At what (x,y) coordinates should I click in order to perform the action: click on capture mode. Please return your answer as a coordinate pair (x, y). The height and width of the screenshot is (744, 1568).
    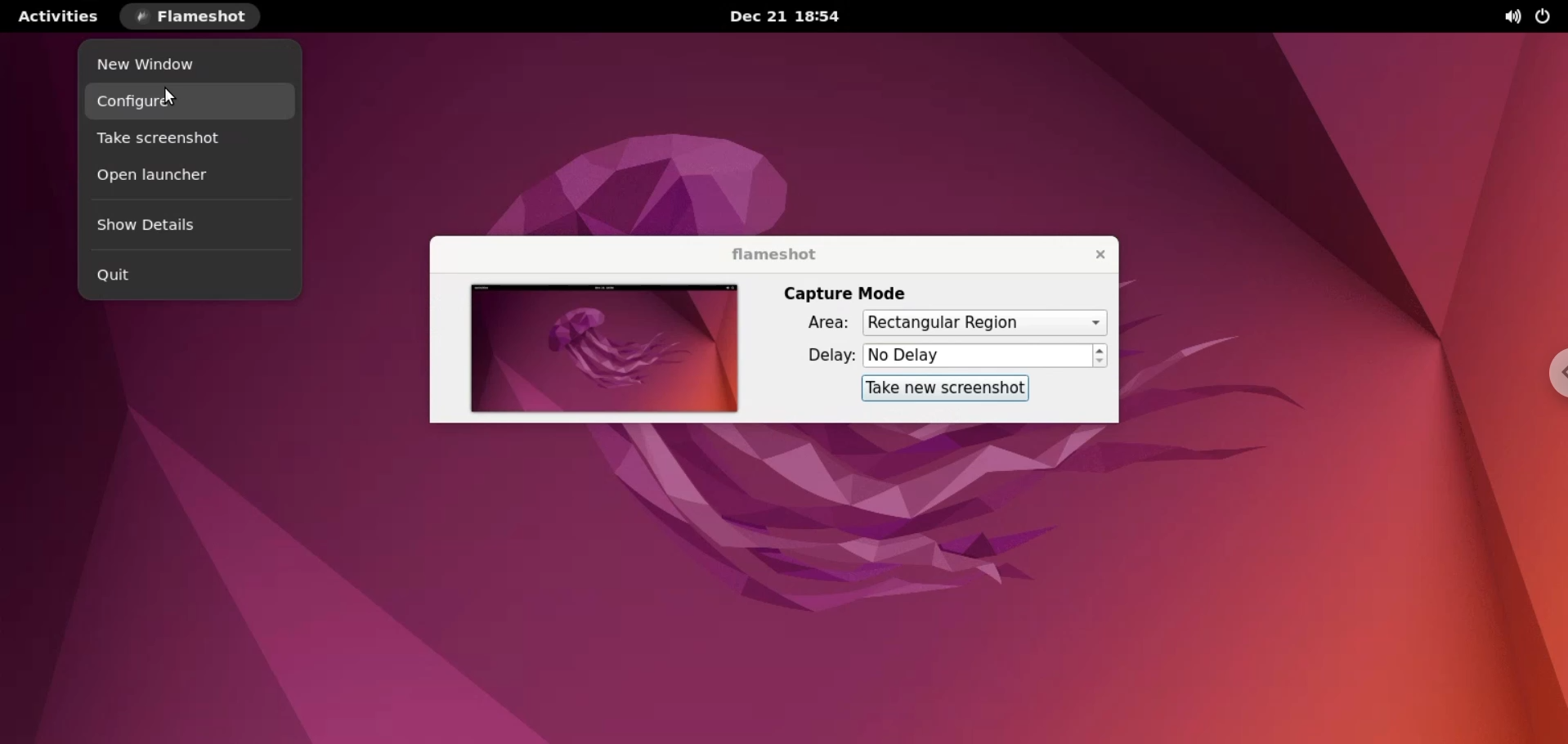
    Looking at the image, I should click on (847, 292).